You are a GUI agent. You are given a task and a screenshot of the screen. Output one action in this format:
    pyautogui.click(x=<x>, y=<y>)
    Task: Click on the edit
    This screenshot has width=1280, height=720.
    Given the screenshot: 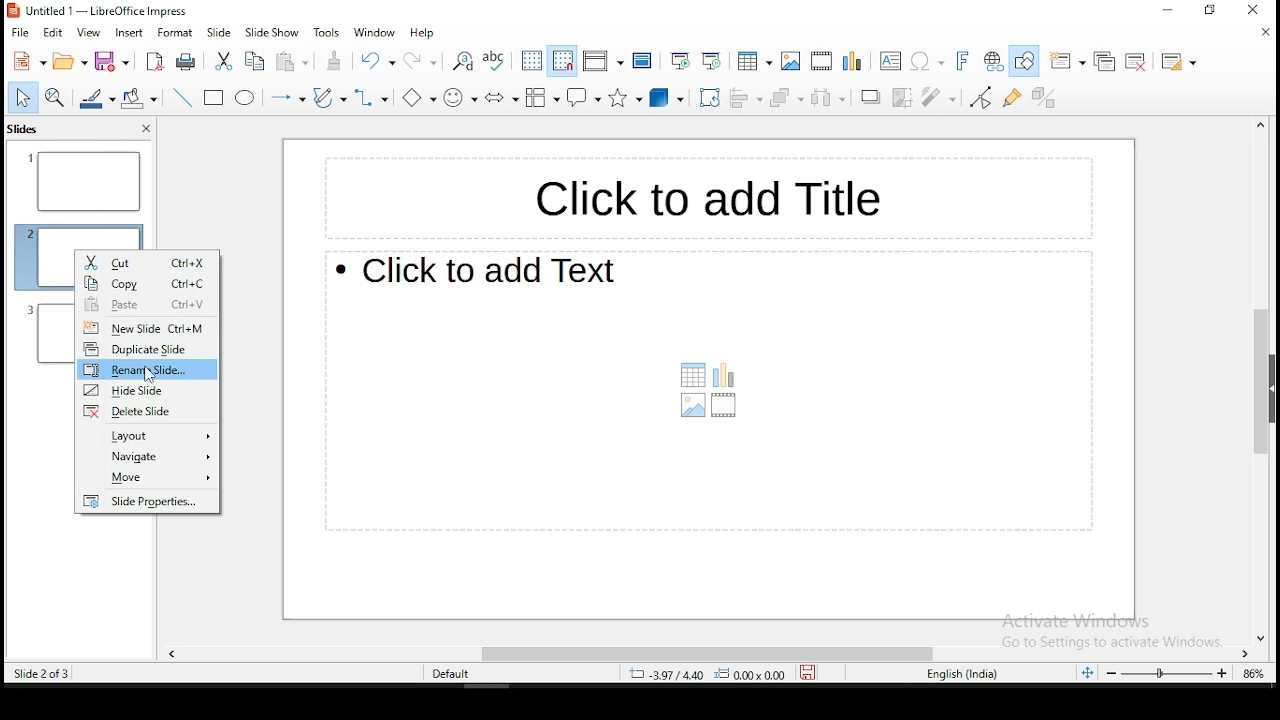 What is the action you would take?
    pyautogui.click(x=53, y=35)
    